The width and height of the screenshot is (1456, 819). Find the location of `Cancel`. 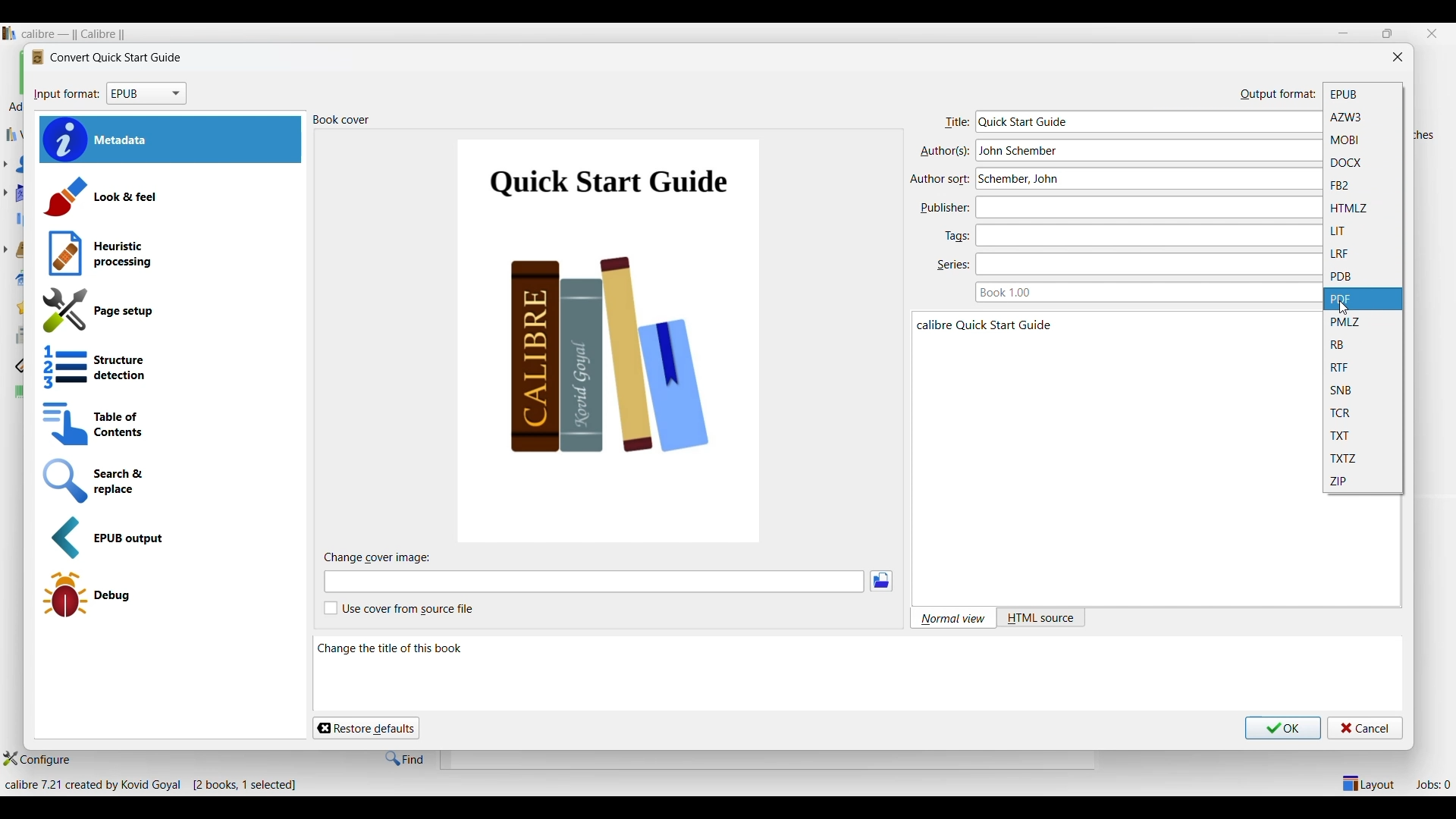

Cancel is located at coordinates (1365, 729).